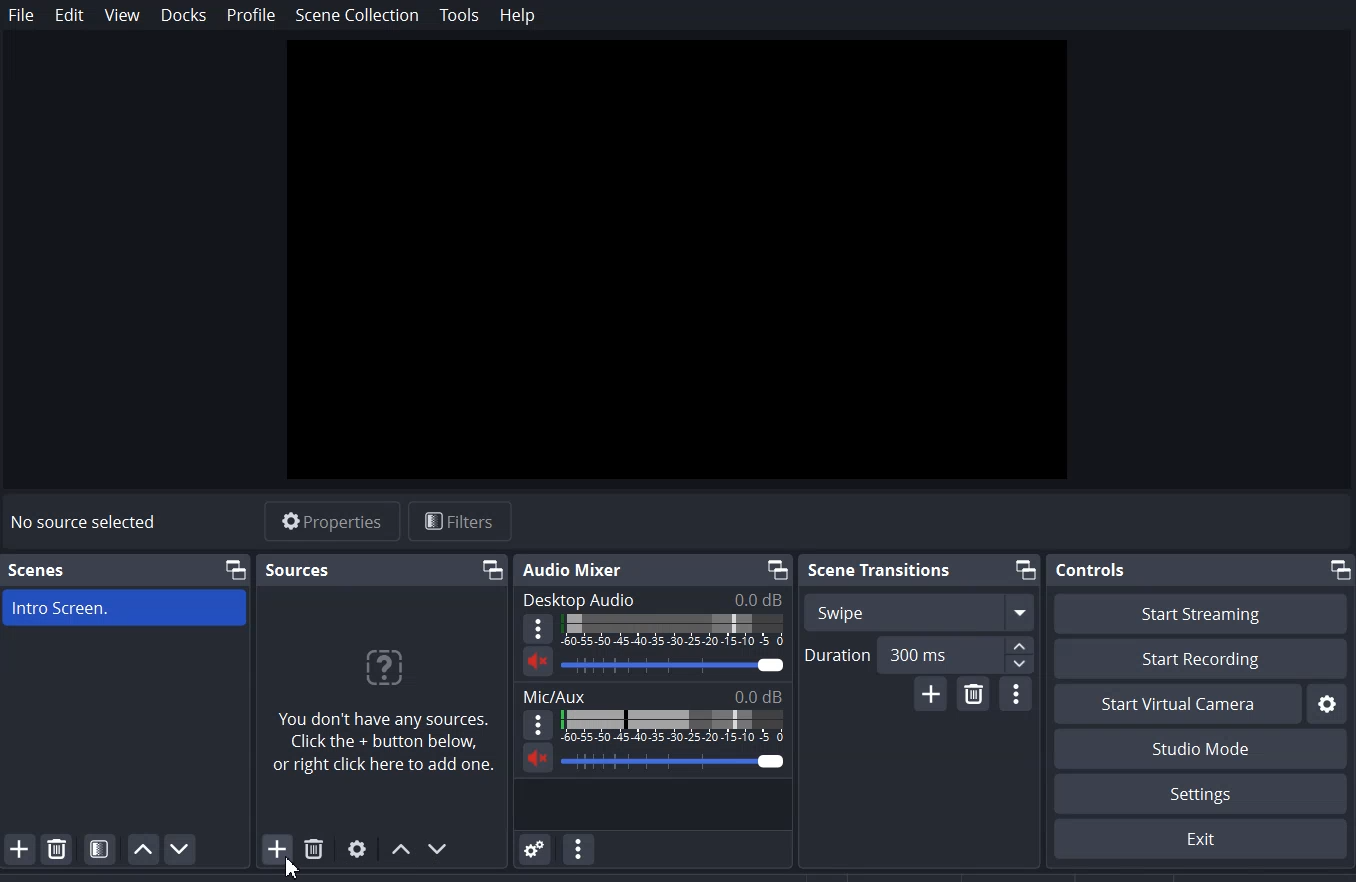  What do you see at coordinates (388, 665) in the screenshot?
I see `?` at bounding box center [388, 665].